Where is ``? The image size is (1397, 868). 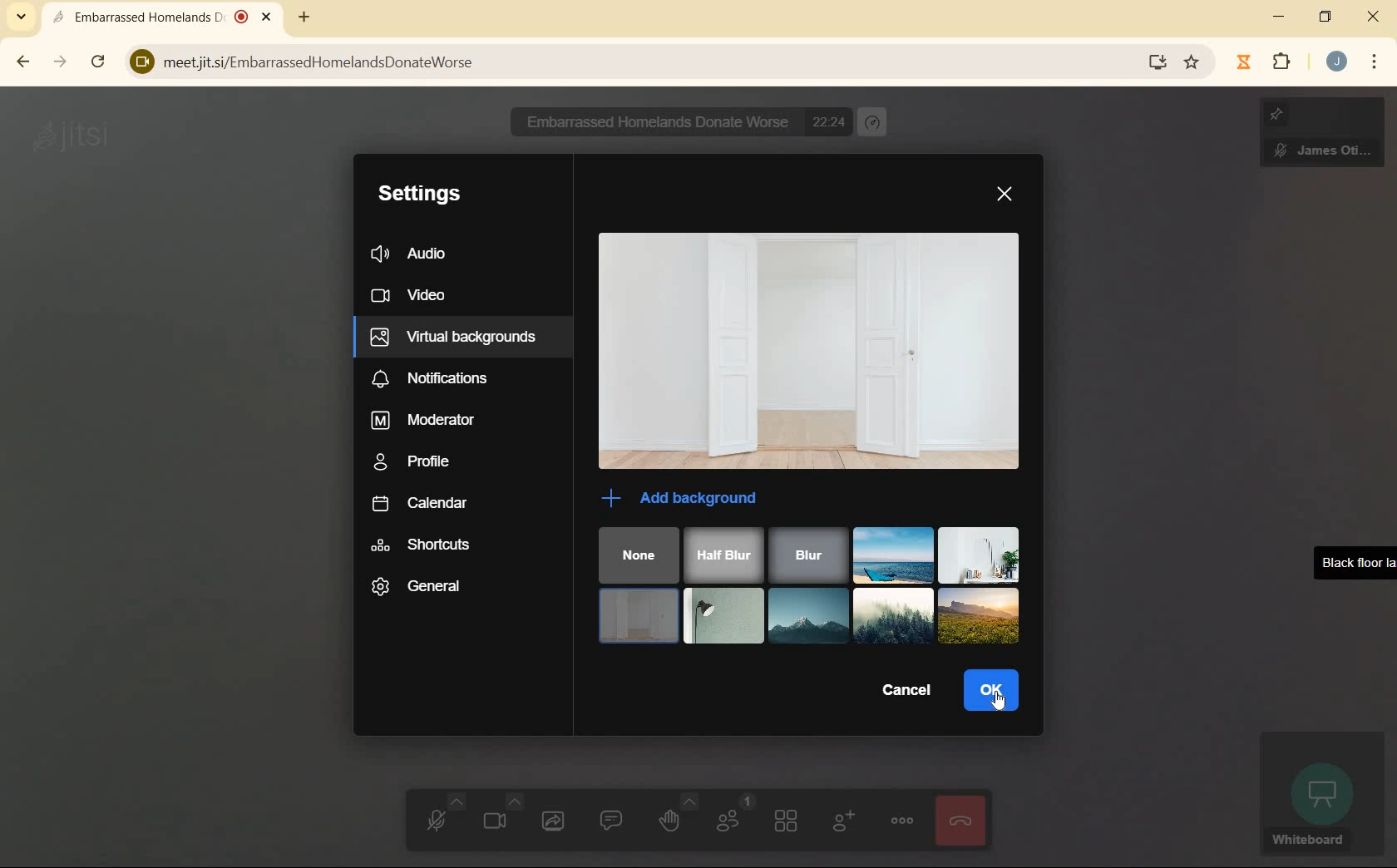
 is located at coordinates (891, 615).